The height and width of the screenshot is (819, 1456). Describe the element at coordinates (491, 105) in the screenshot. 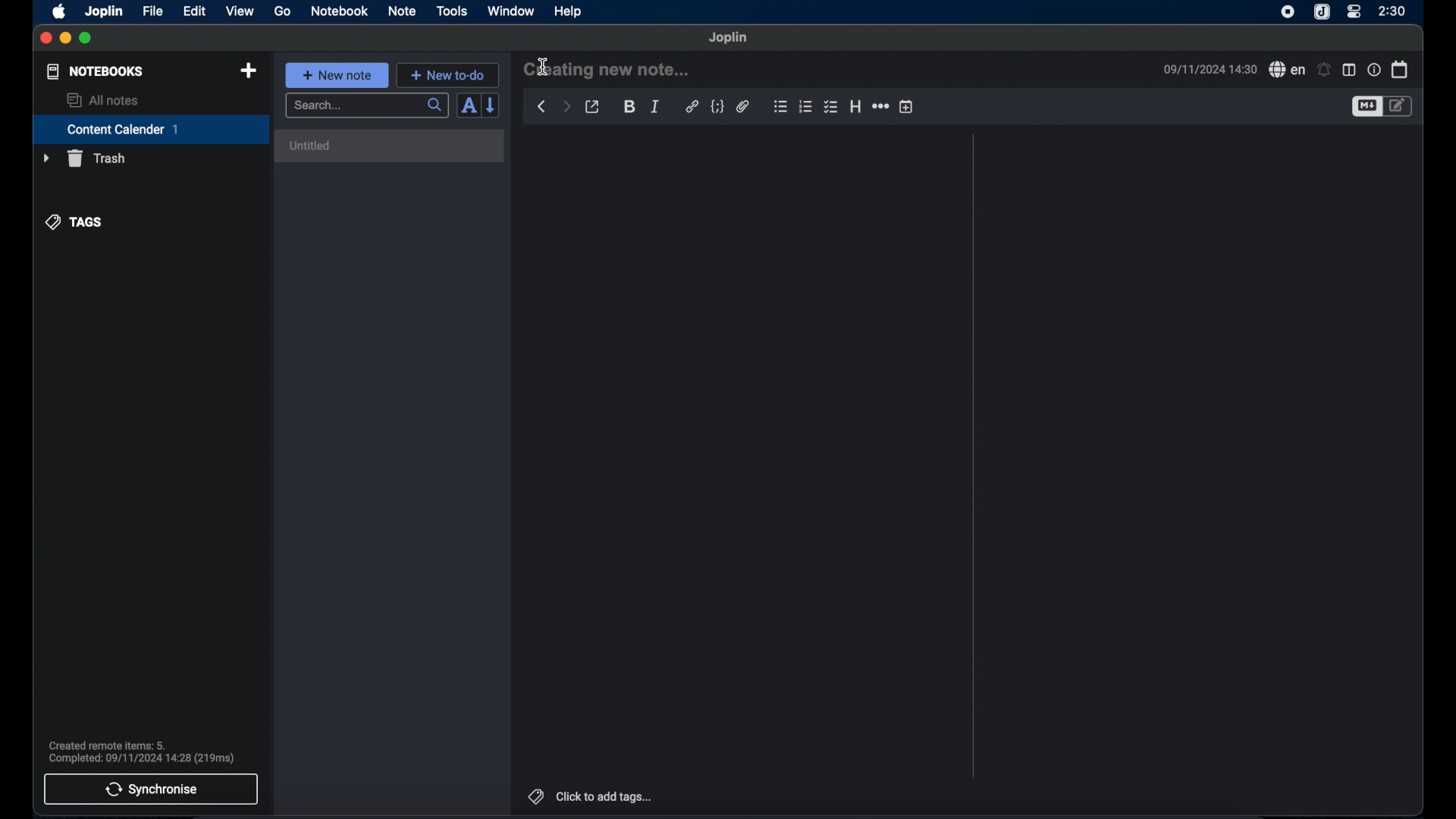

I see `reverse sort order` at that location.